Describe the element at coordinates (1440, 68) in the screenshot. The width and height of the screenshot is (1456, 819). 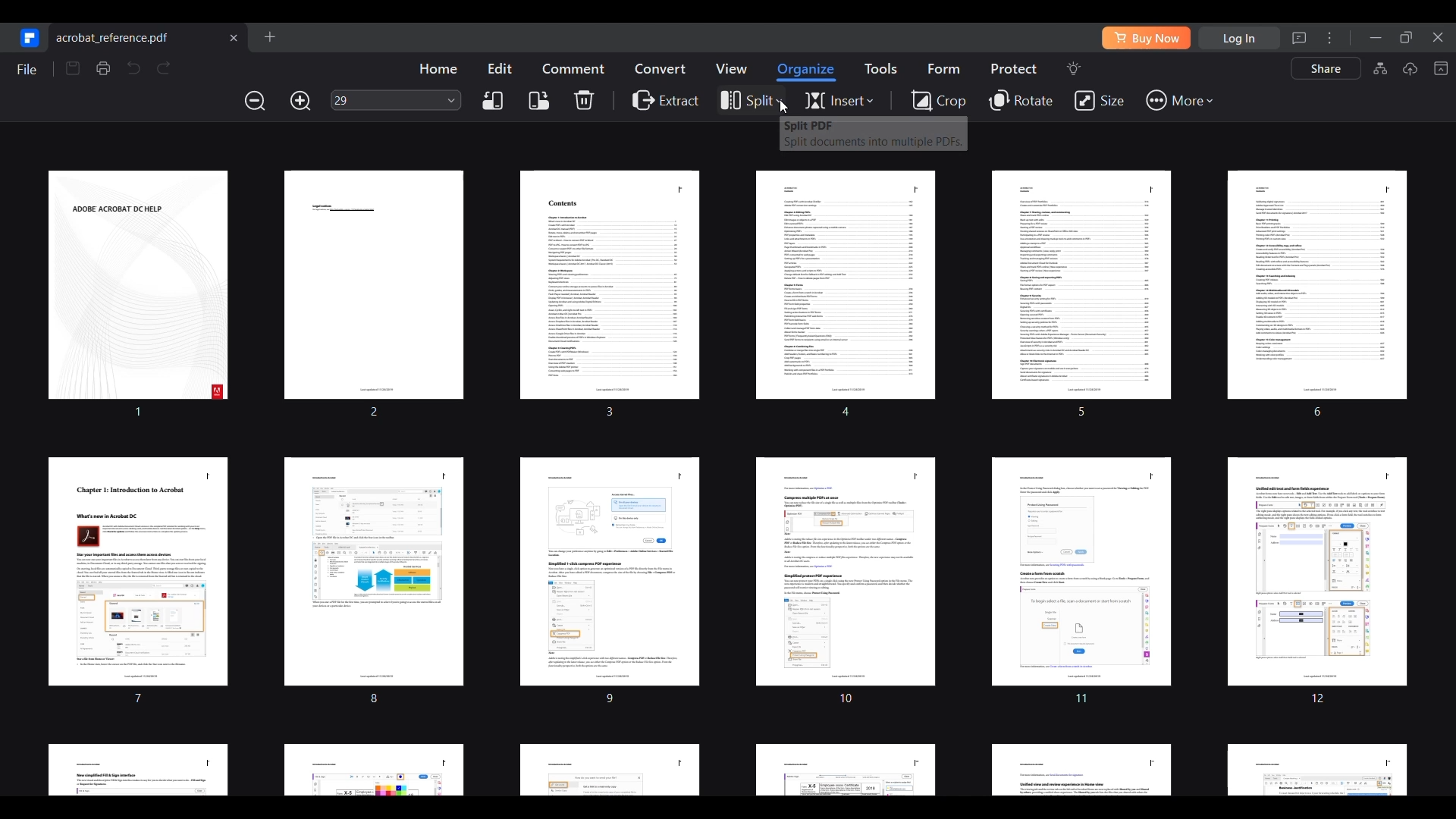
I see `Collapse toolbar` at that location.